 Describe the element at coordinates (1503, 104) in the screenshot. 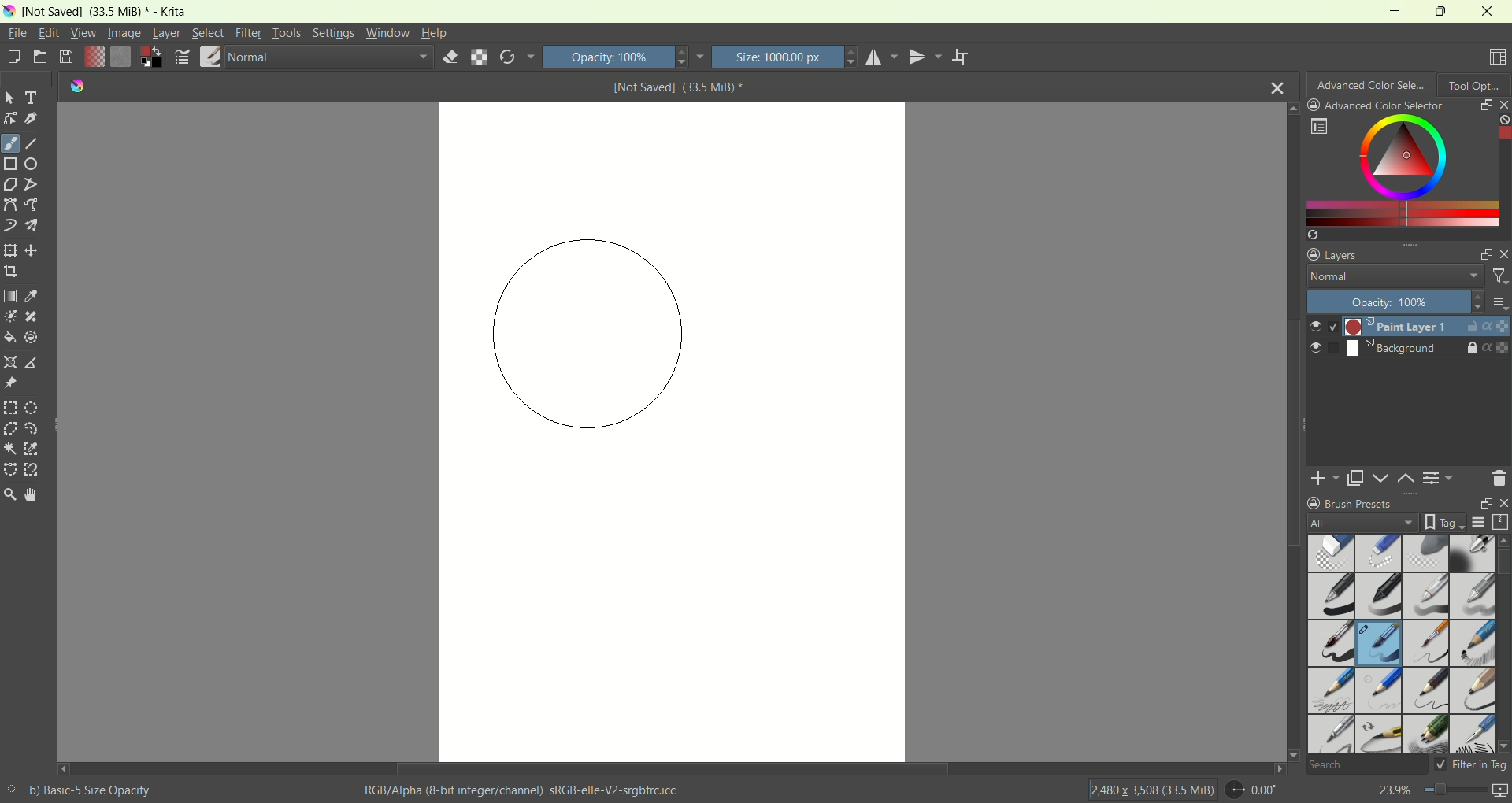

I see `close docker` at that location.